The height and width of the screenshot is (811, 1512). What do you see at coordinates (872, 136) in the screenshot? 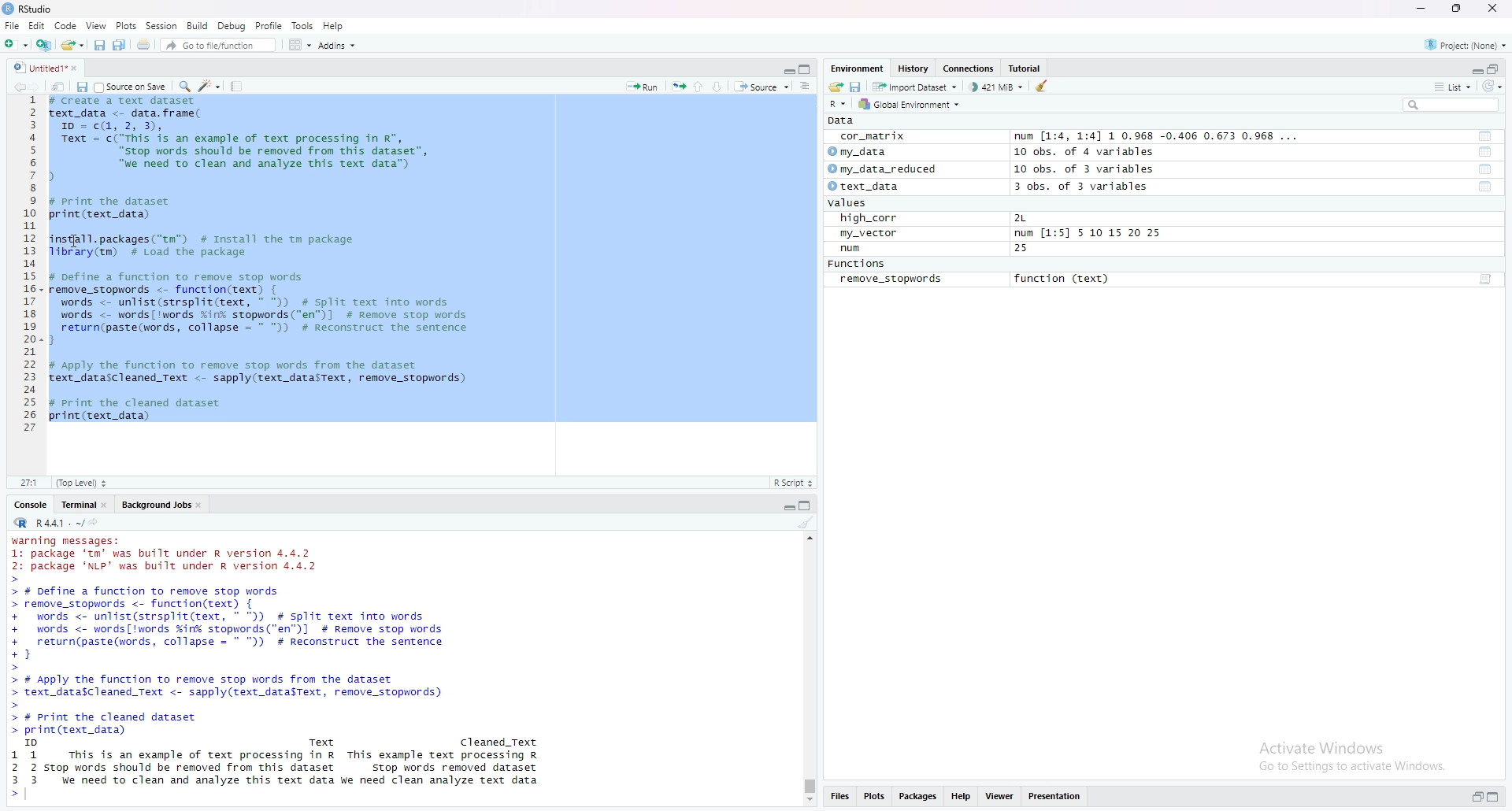
I see `cor_matrix` at bounding box center [872, 136].